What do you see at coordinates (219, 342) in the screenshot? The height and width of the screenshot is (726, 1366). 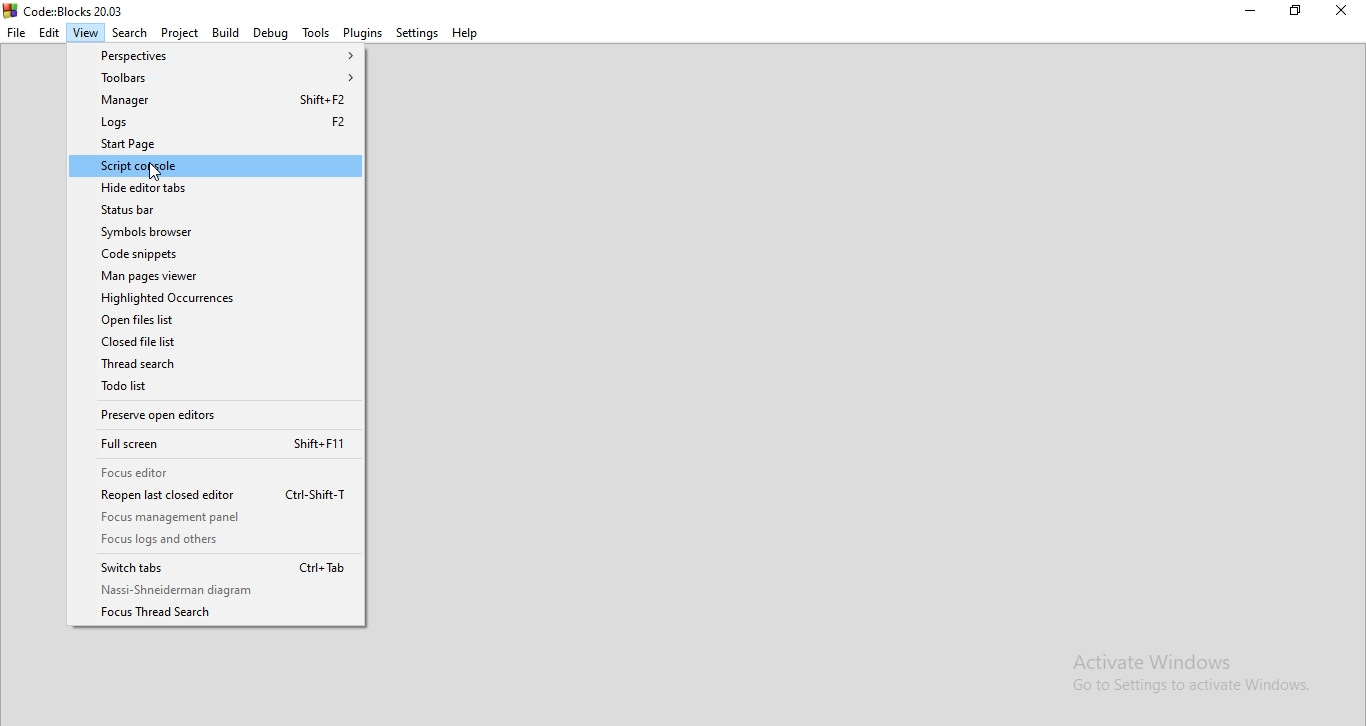 I see `Closed file list` at bounding box center [219, 342].